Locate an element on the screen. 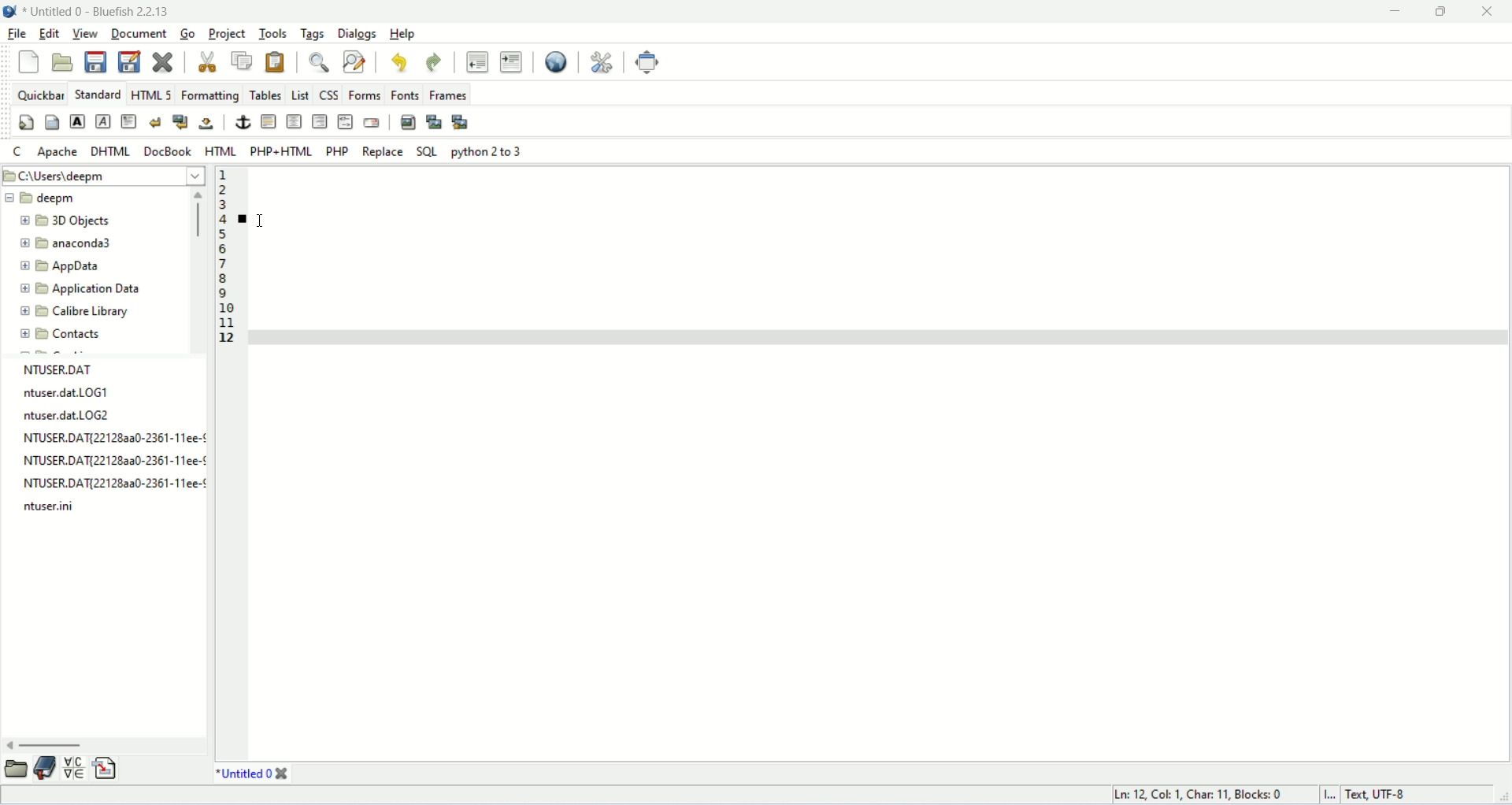 The width and height of the screenshot is (1512, 805). help is located at coordinates (403, 33).